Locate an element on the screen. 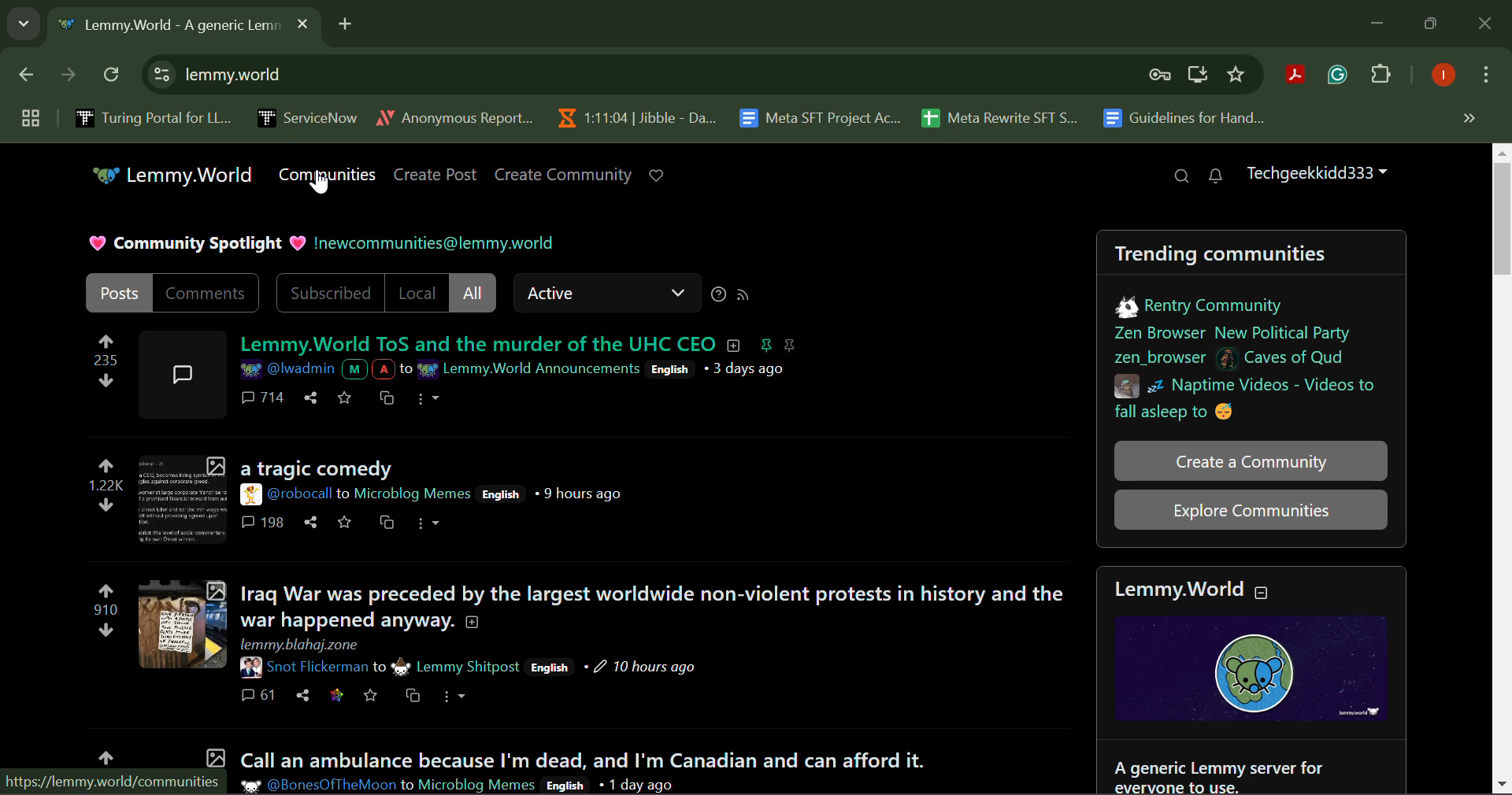 The height and width of the screenshot is (795, 1512). Logged In User is located at coordinates (1440, 76).